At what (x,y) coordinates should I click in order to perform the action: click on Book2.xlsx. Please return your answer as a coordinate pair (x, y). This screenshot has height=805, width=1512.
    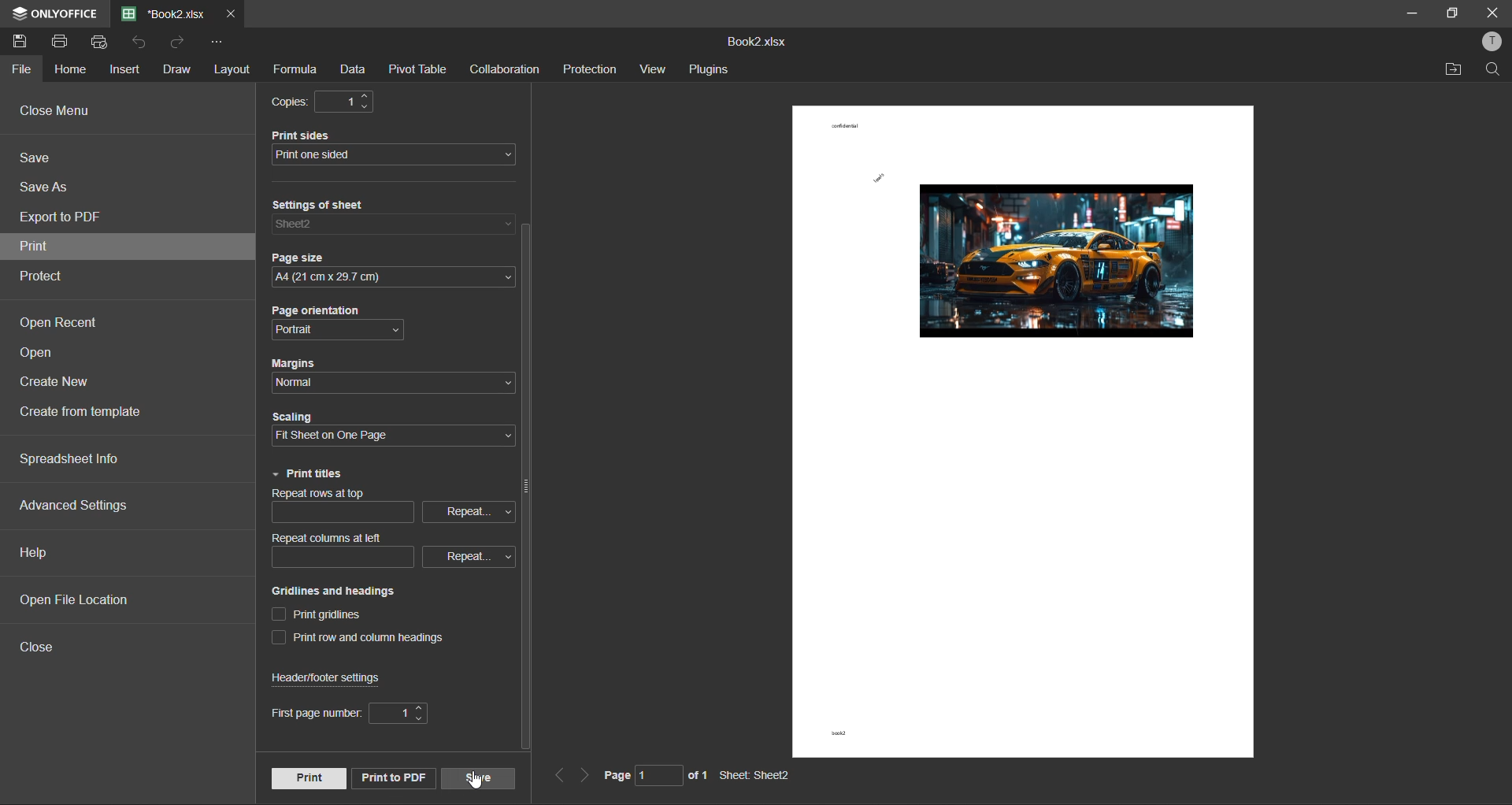
    Looking at the image, I should click on (755, 45).